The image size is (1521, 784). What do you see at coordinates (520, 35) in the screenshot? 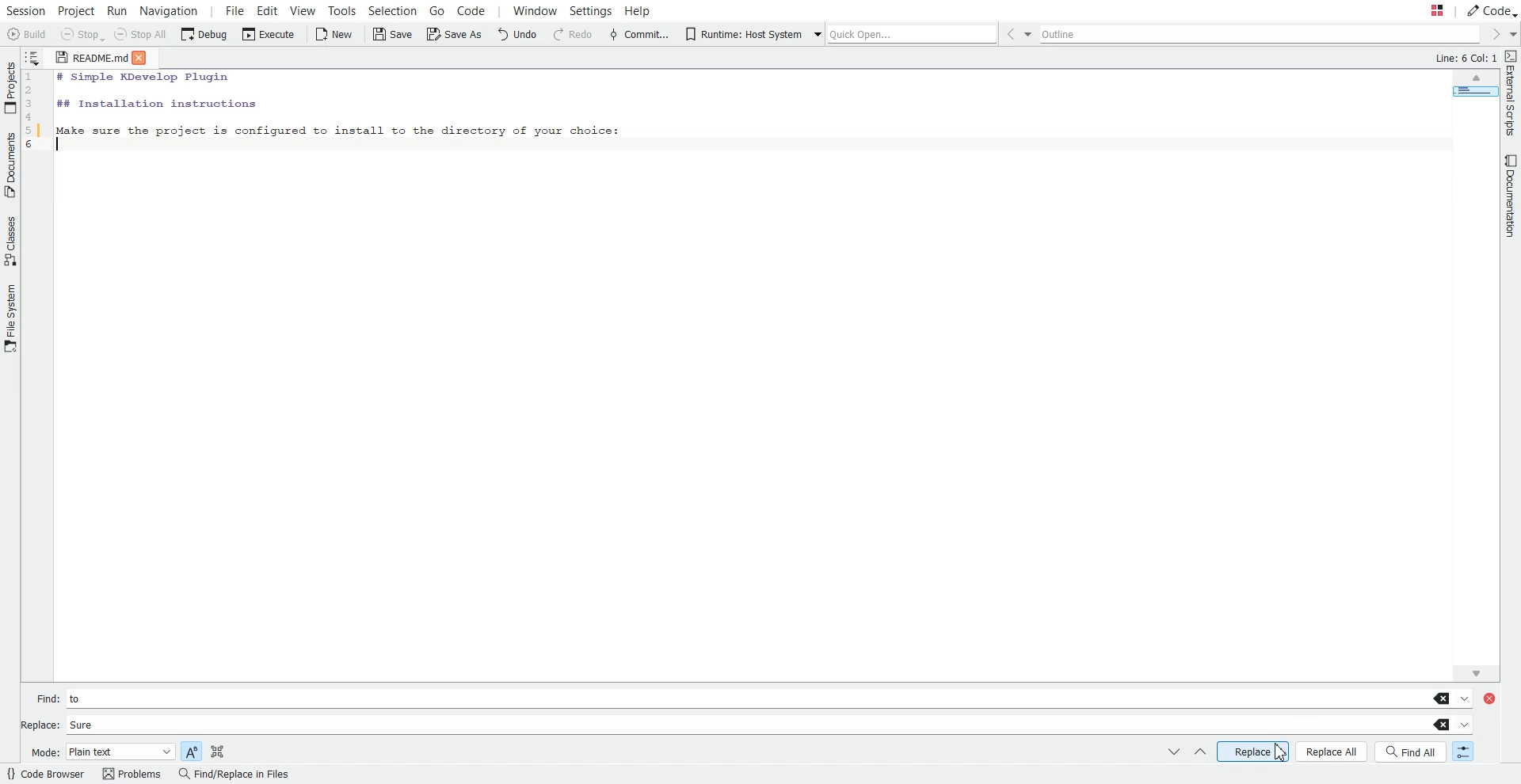
I see `Undo` at bounding box center [520, 35].